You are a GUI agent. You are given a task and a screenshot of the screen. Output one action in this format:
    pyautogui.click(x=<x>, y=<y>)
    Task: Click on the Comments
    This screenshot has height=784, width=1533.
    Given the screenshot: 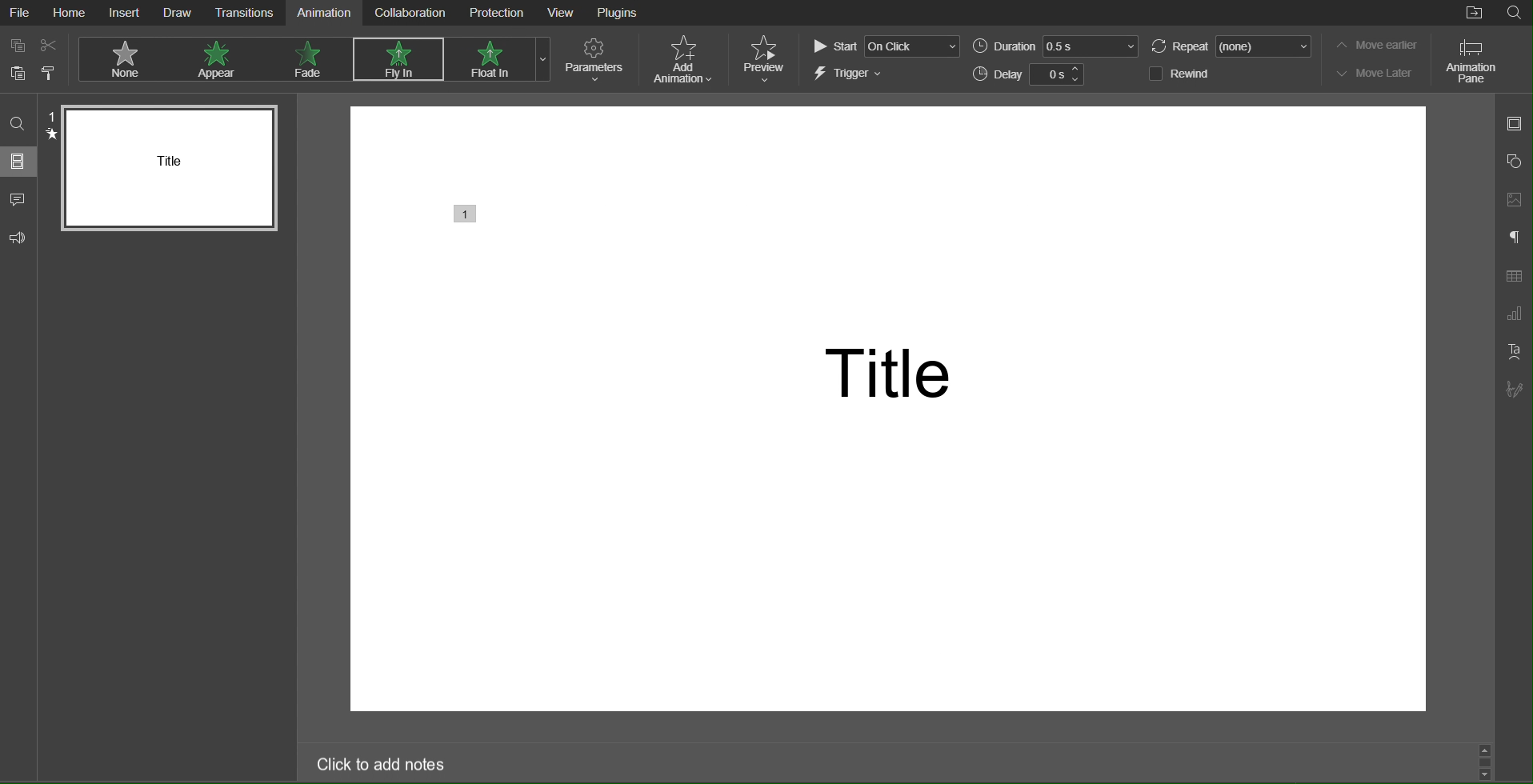 What is the action you would take?
    pyautogui.click(x=19, y=201)
    